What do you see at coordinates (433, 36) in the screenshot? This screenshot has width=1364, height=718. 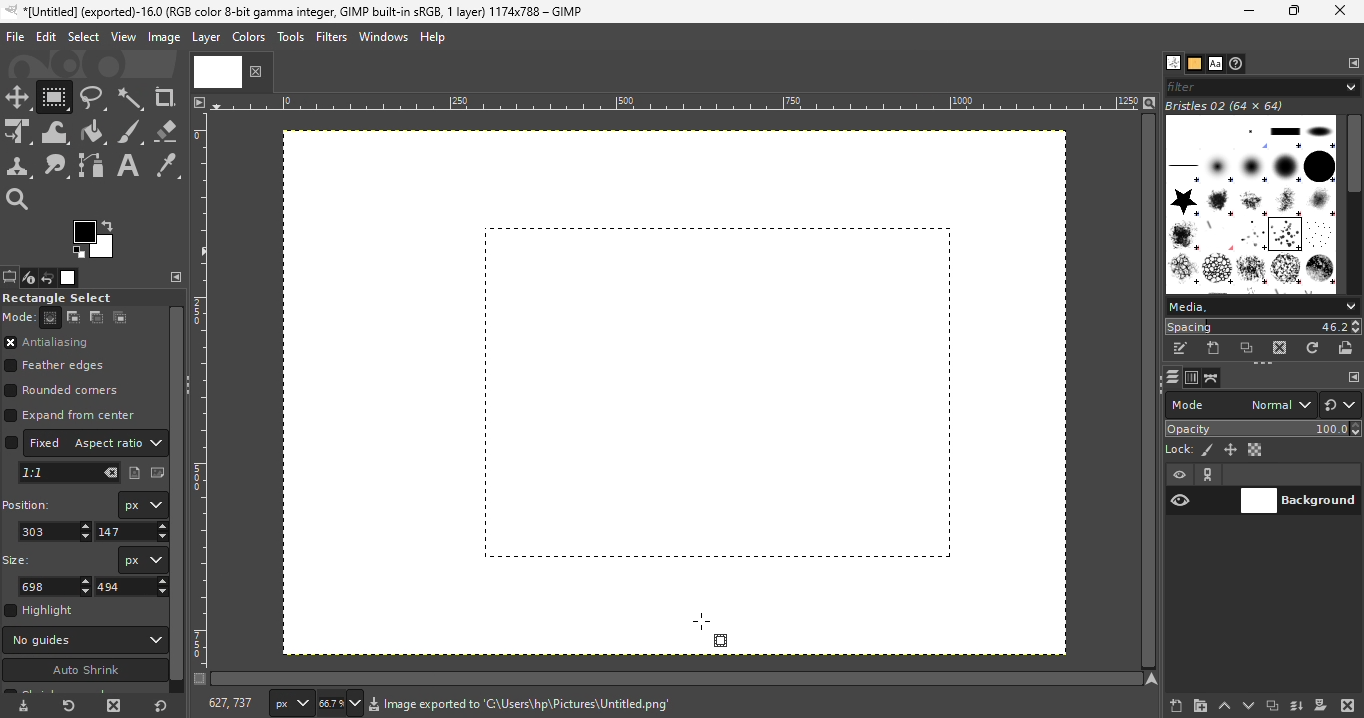 I see `Help` at bounding box center [433, 36].